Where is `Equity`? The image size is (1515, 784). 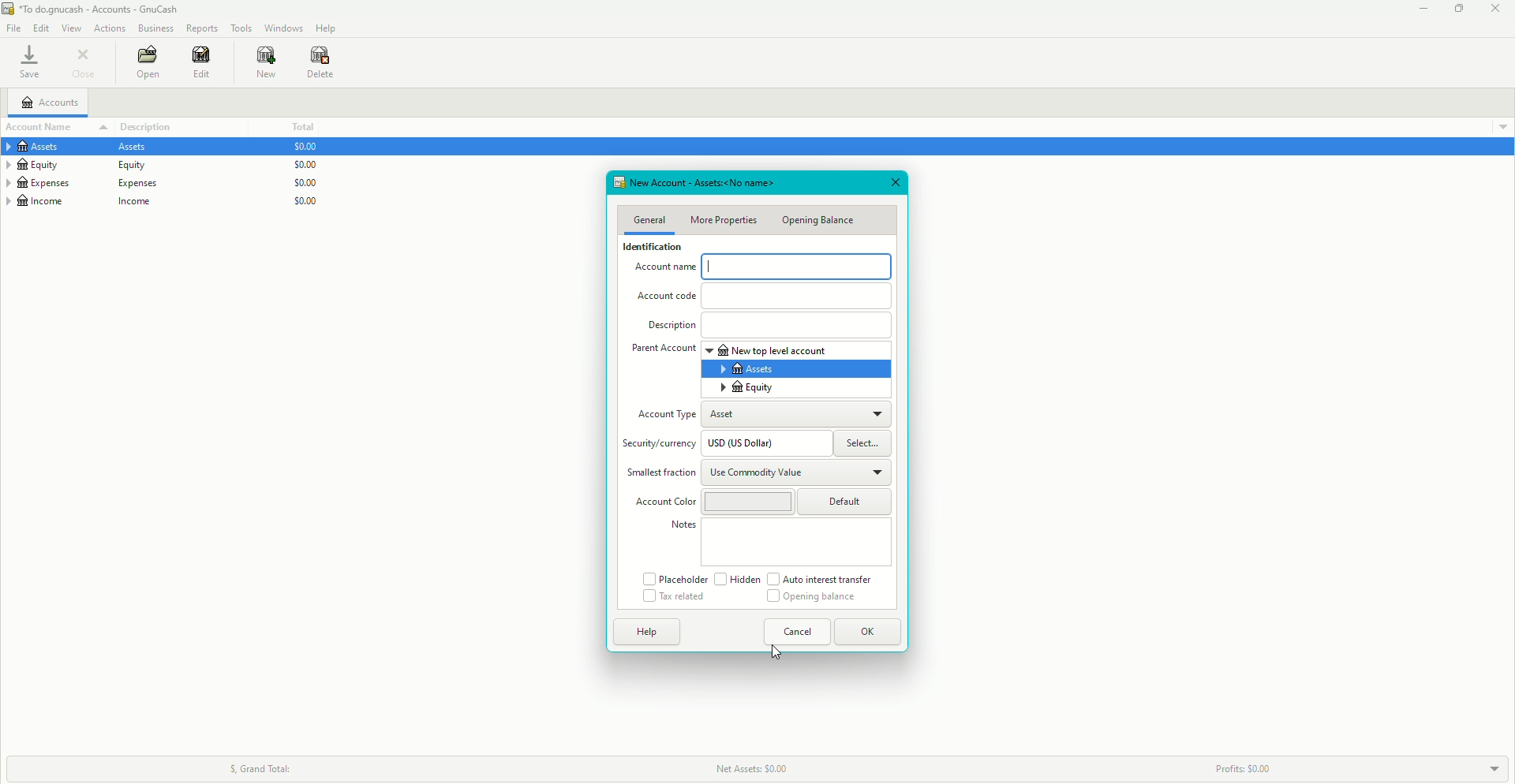 Equity is located at coordinates (84, 166).